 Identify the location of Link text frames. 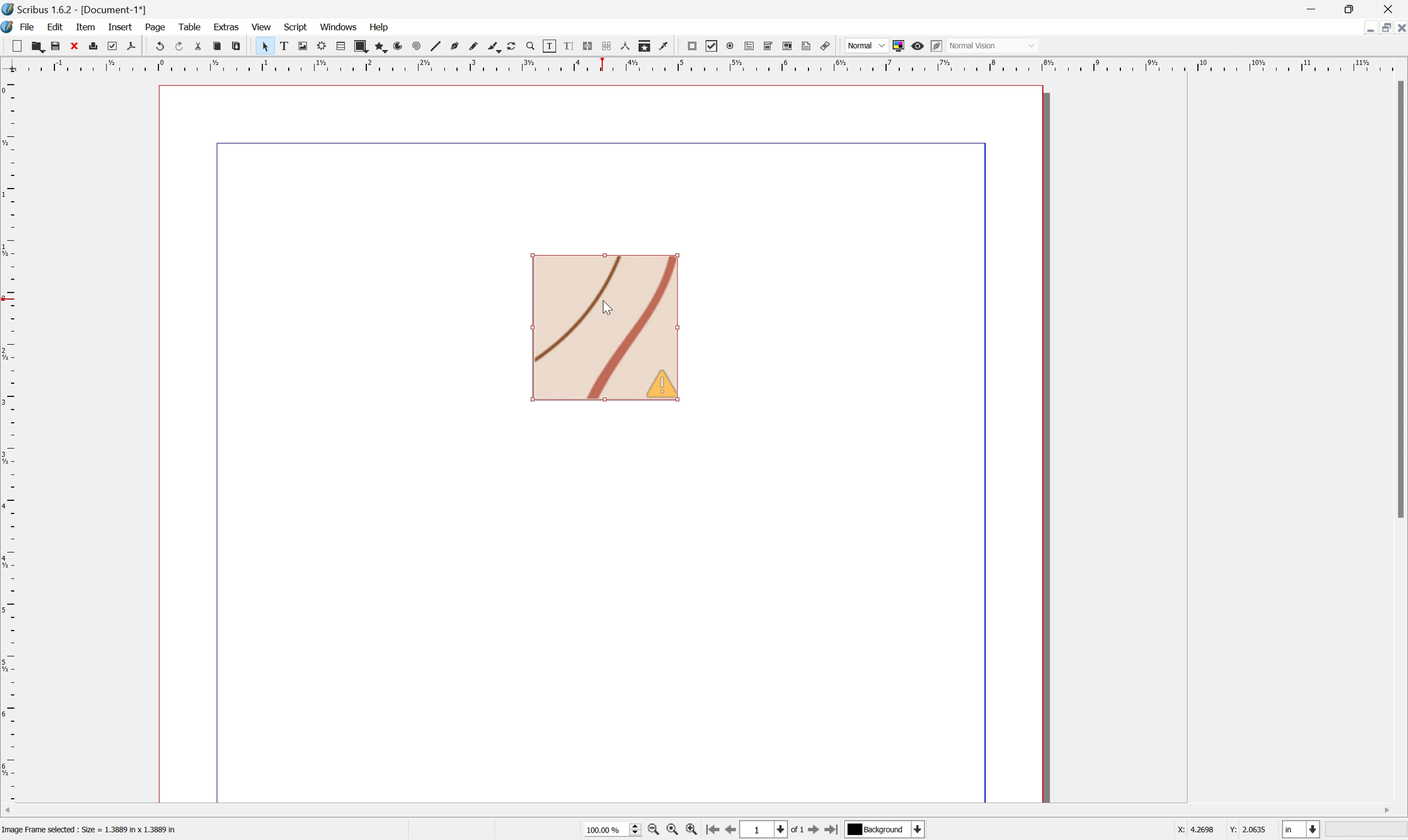
(591, 46).